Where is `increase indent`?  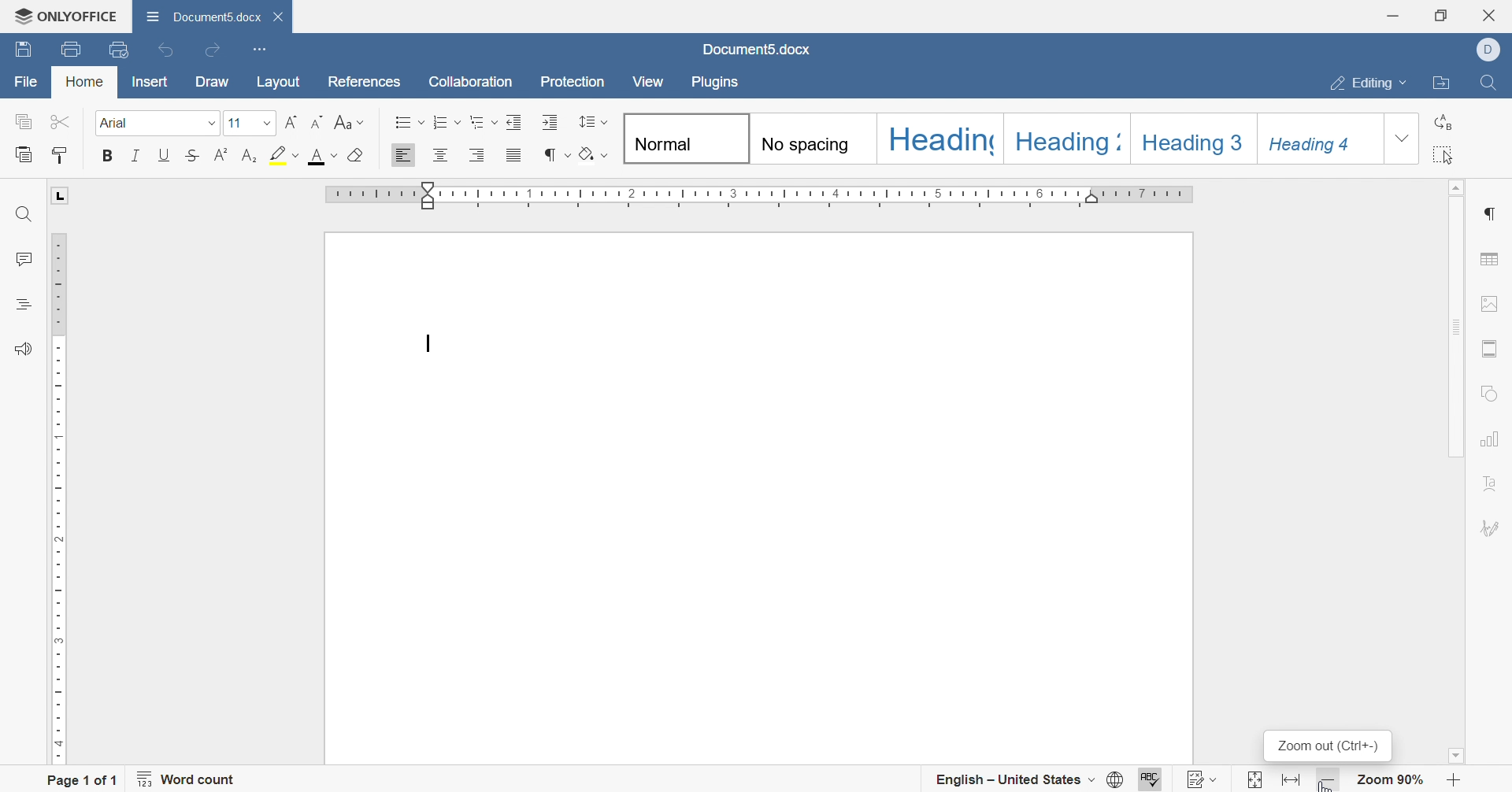 increase indent is located at coordinates (549, 121).